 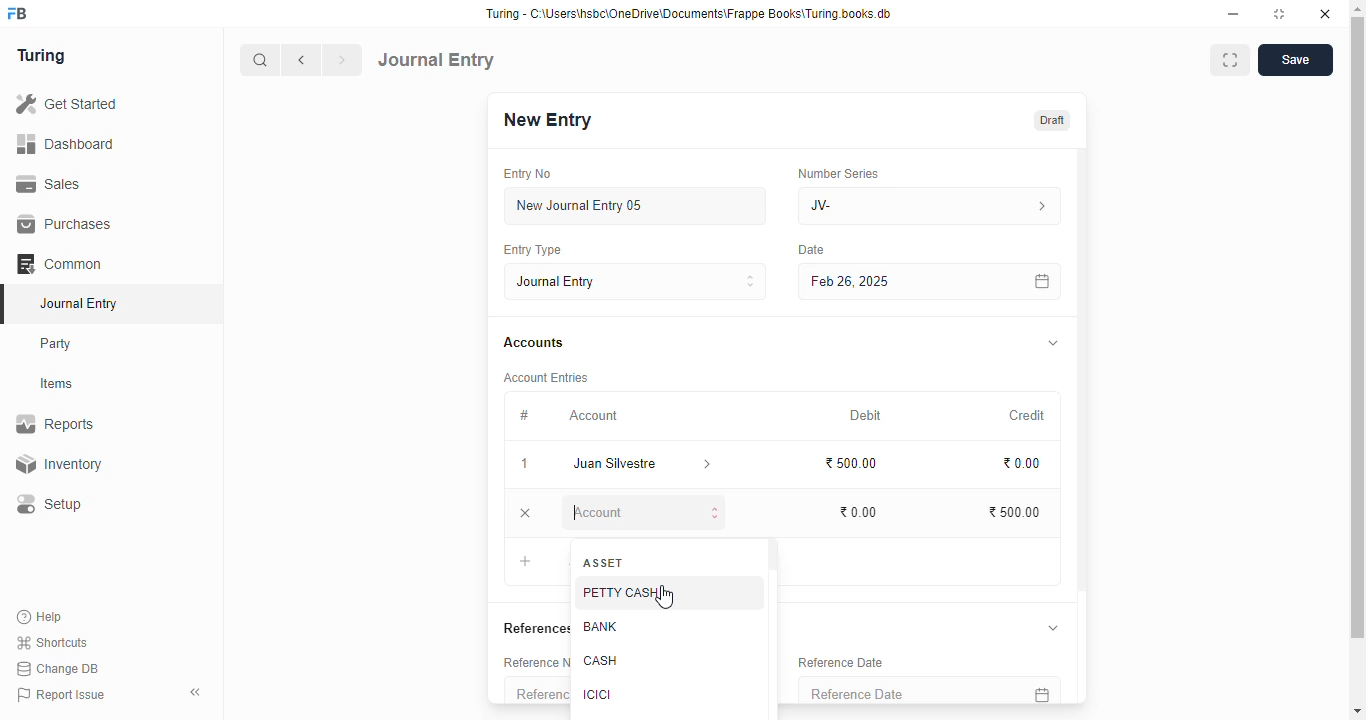 What do you see at coordinates (41, 616) in the screenshot?
I see `help` at bounding box center [41, 616].